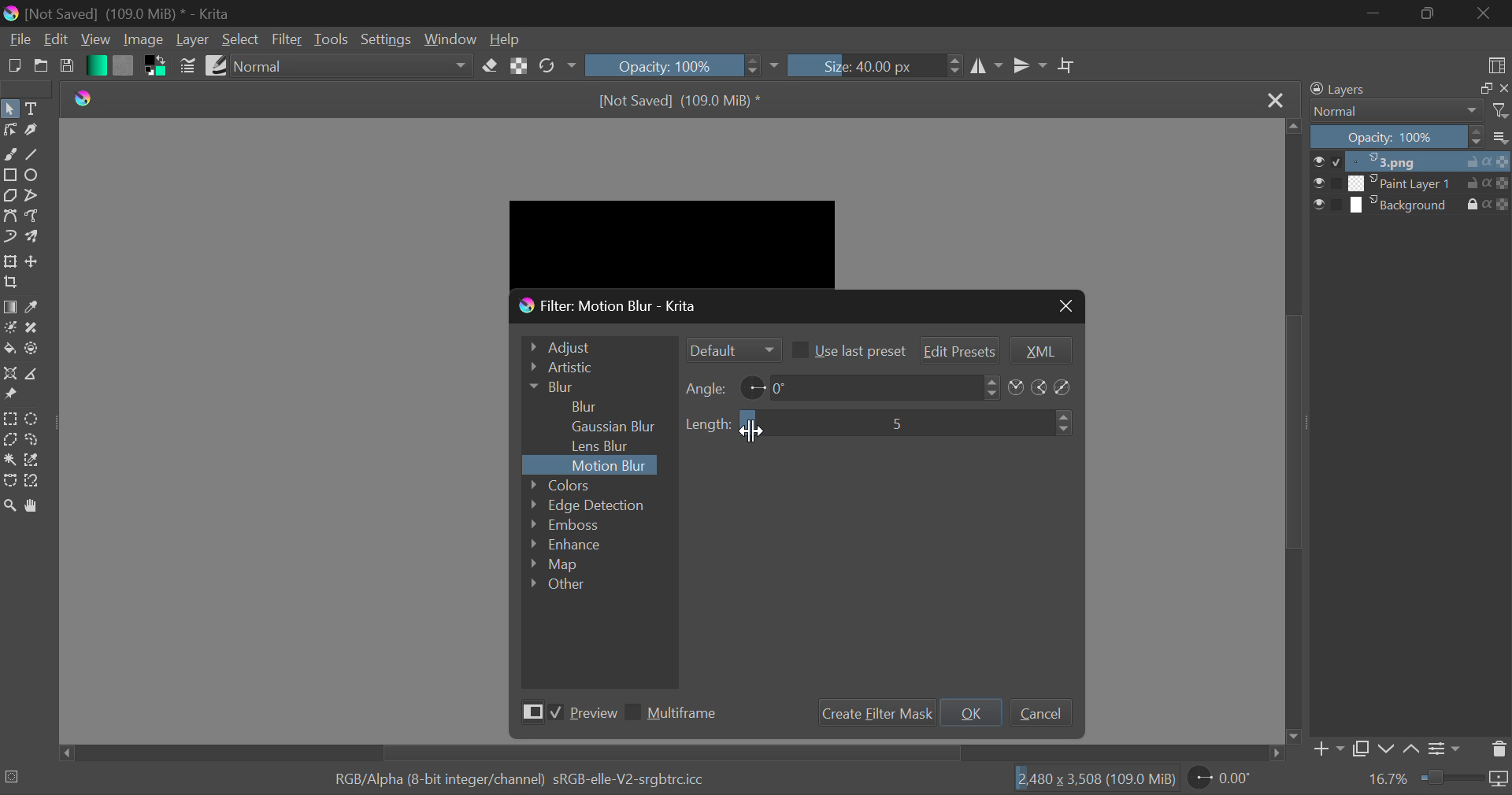  Describe the element at coordinates (87, 100) in the screenshot. I see `Krita Logo` at that location.